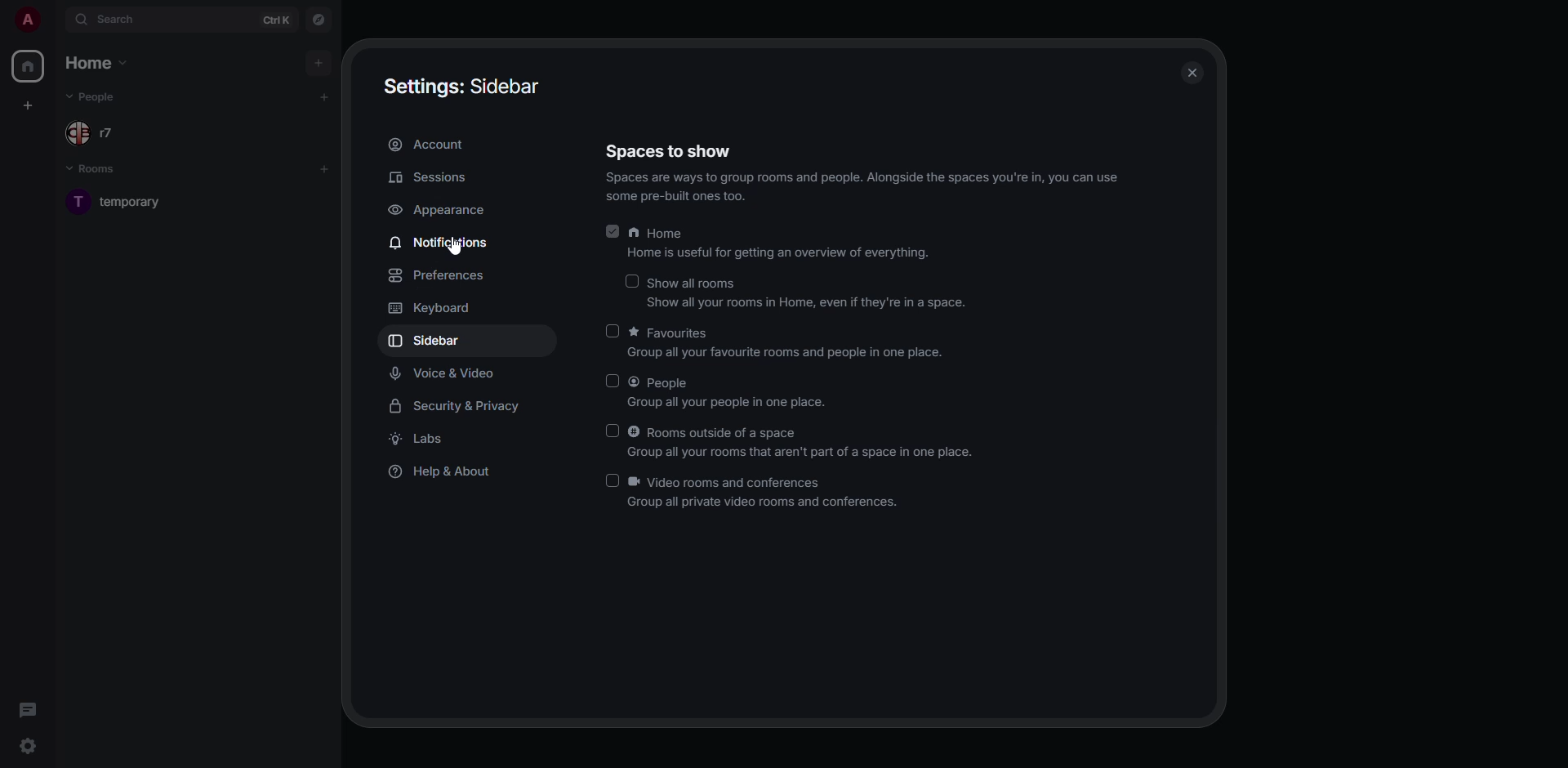 This screenshot has width=1568, height=768. I want to click on keyboard, so click(434, 308).